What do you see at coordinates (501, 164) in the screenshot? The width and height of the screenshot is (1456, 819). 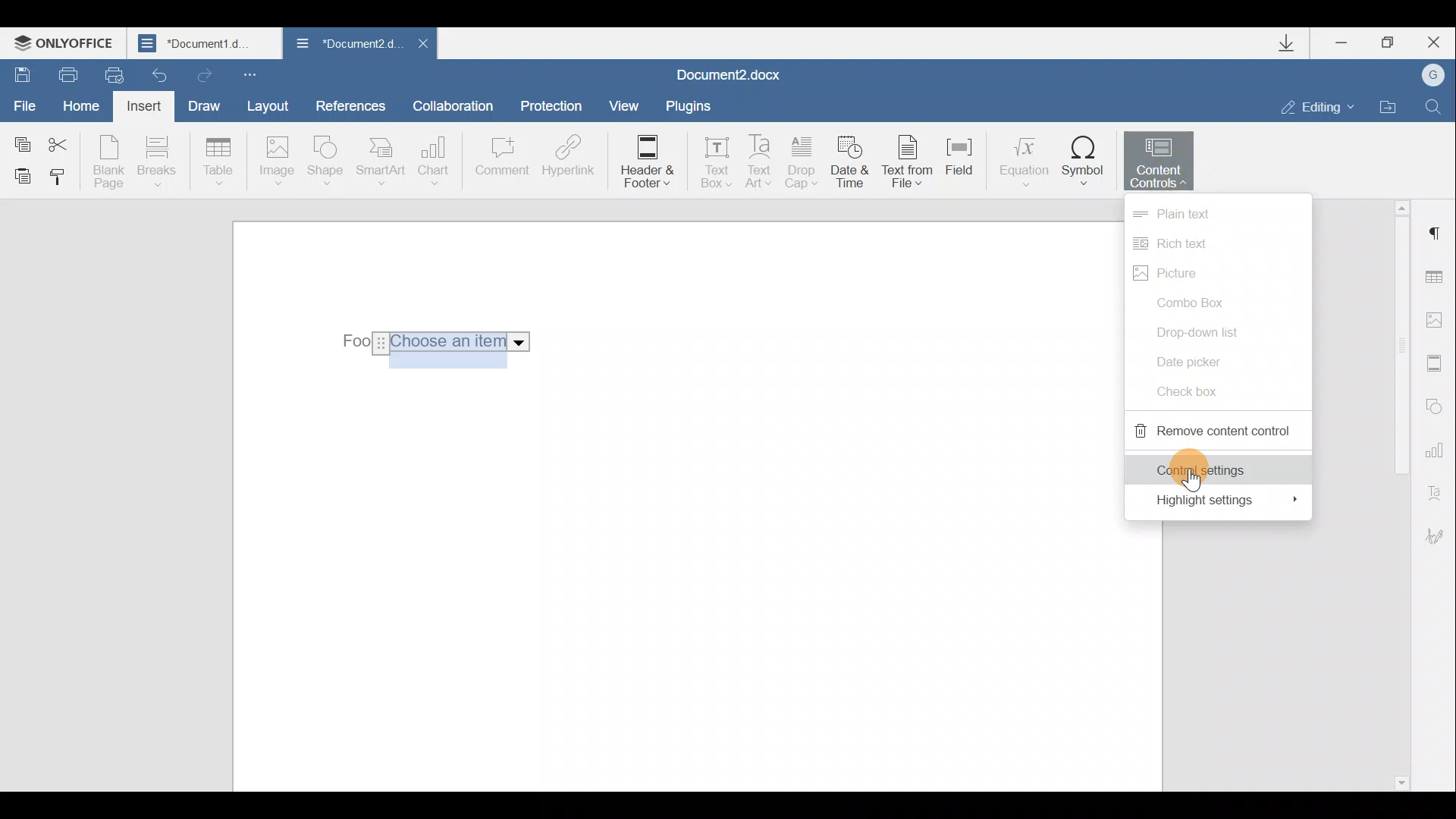 I see `Comment` at bounding box center [501, 164].